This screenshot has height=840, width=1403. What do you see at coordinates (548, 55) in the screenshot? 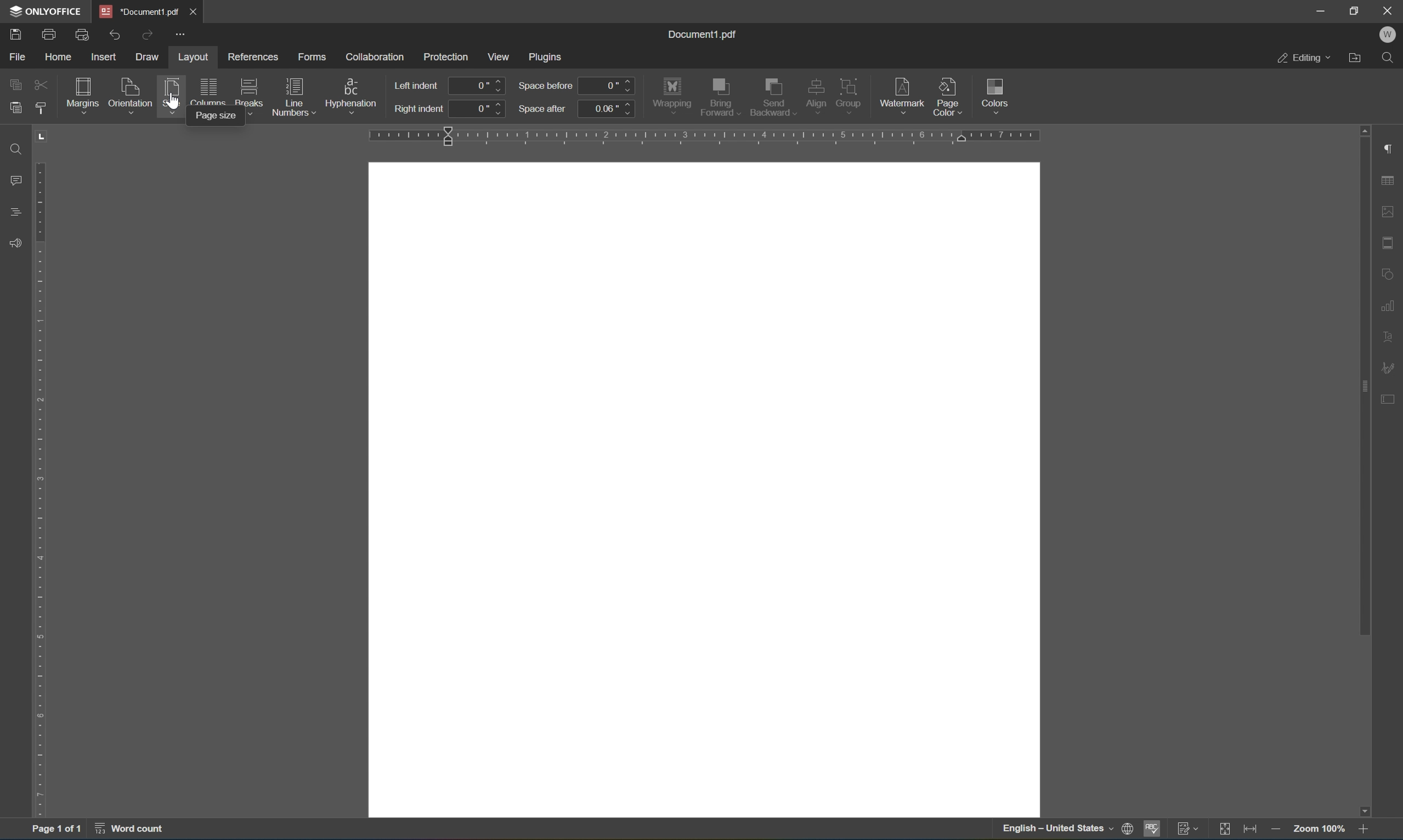
I see `plugins` at bounding box center [548, 55].